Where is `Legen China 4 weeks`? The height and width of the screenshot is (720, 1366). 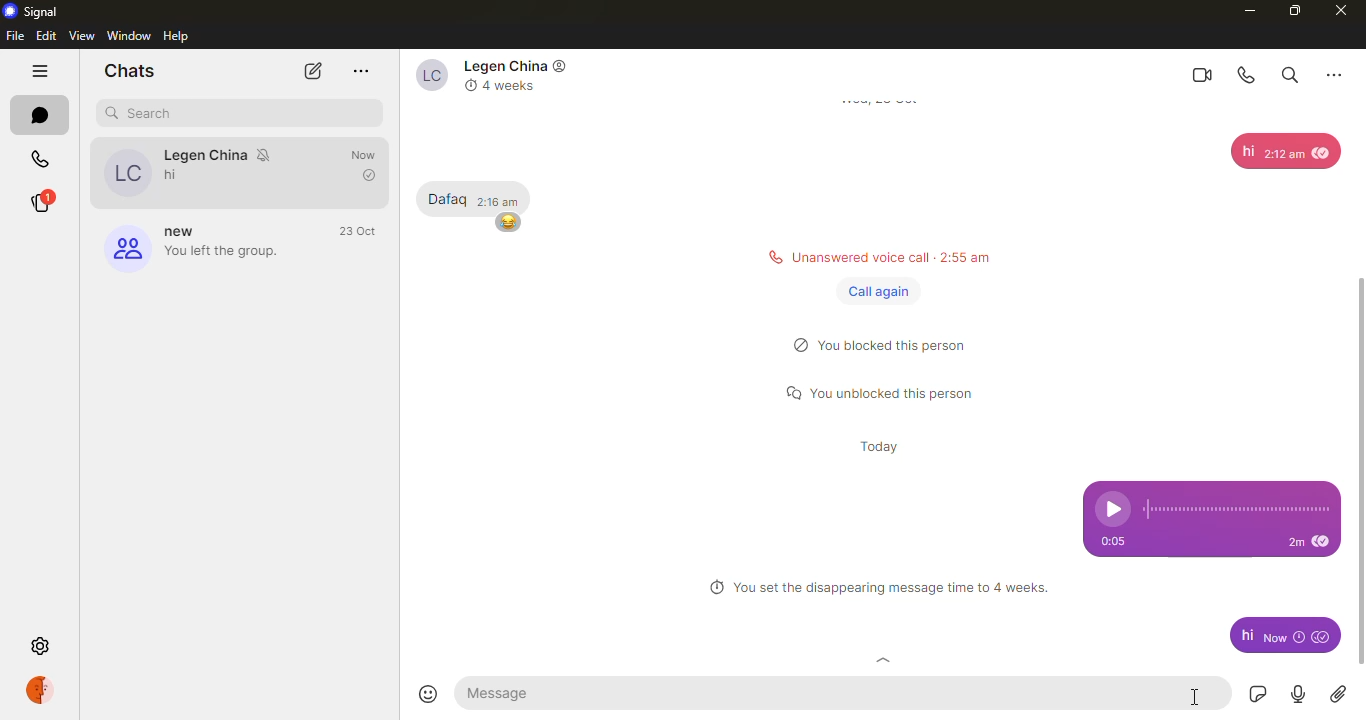
Legen China 4 weeks is located at coordinates (497, 76).